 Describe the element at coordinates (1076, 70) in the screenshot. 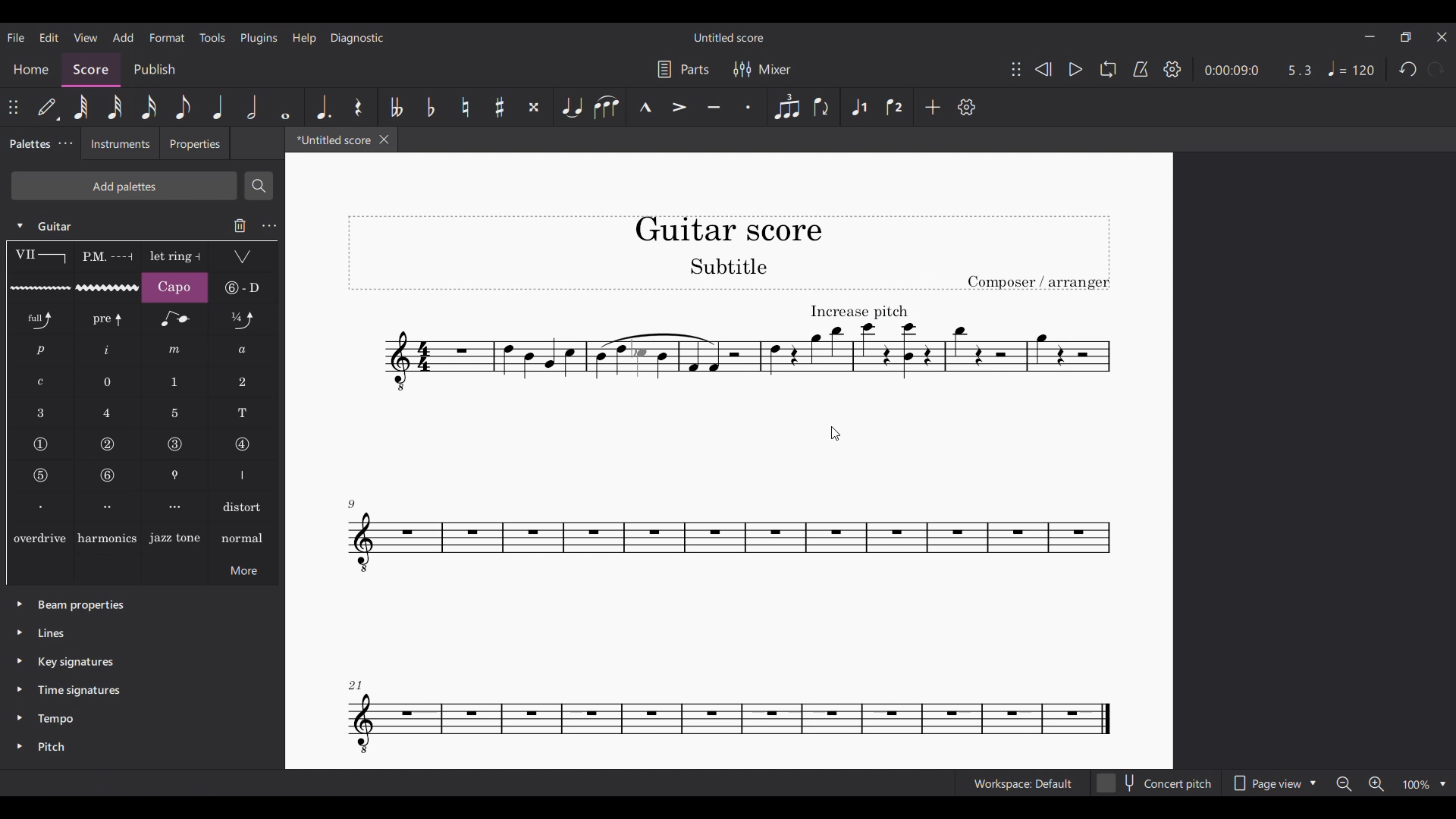

I see `Play` at that location.